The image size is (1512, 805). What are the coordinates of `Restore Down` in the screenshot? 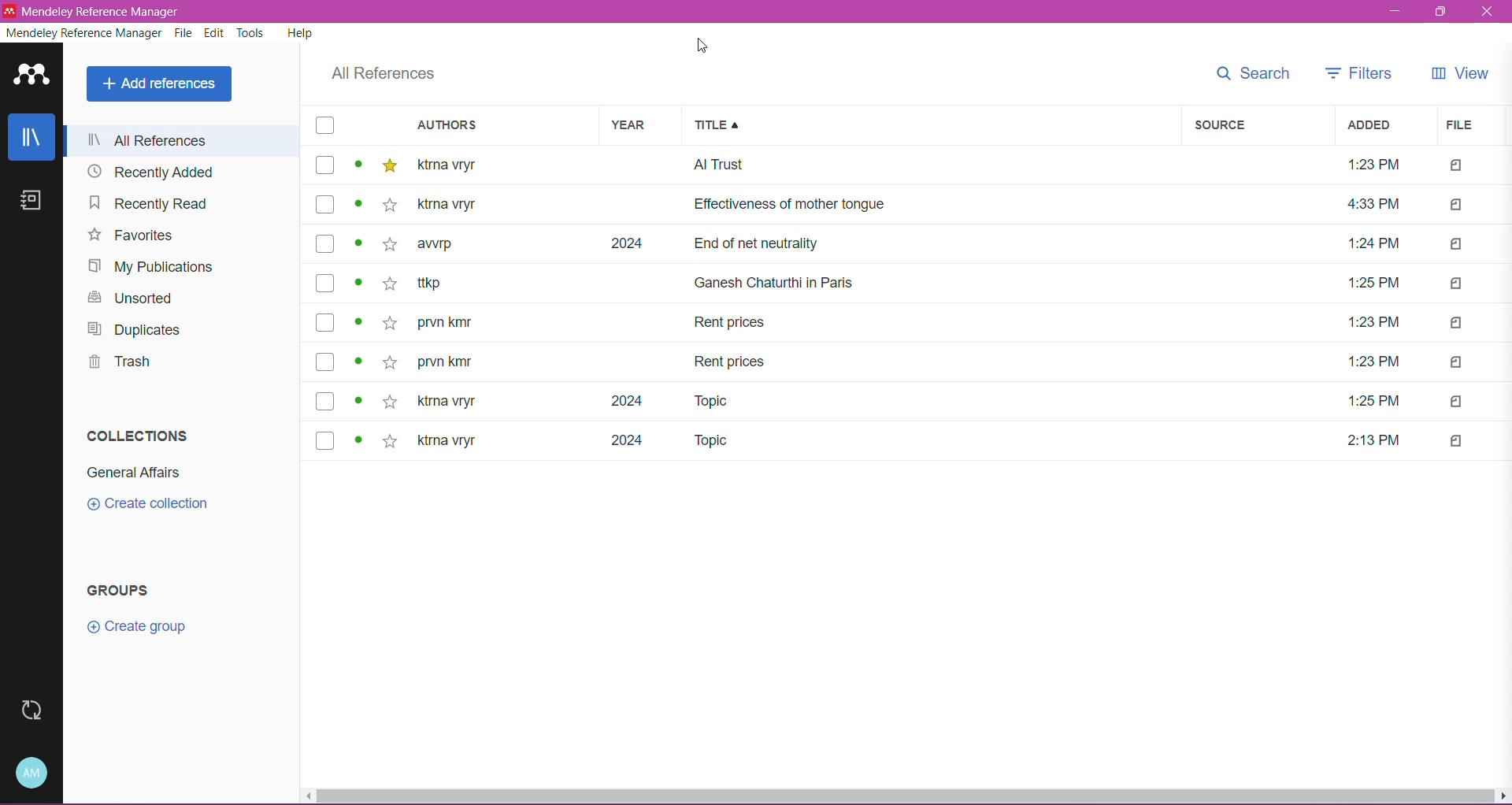 It's located at (1439, 13).